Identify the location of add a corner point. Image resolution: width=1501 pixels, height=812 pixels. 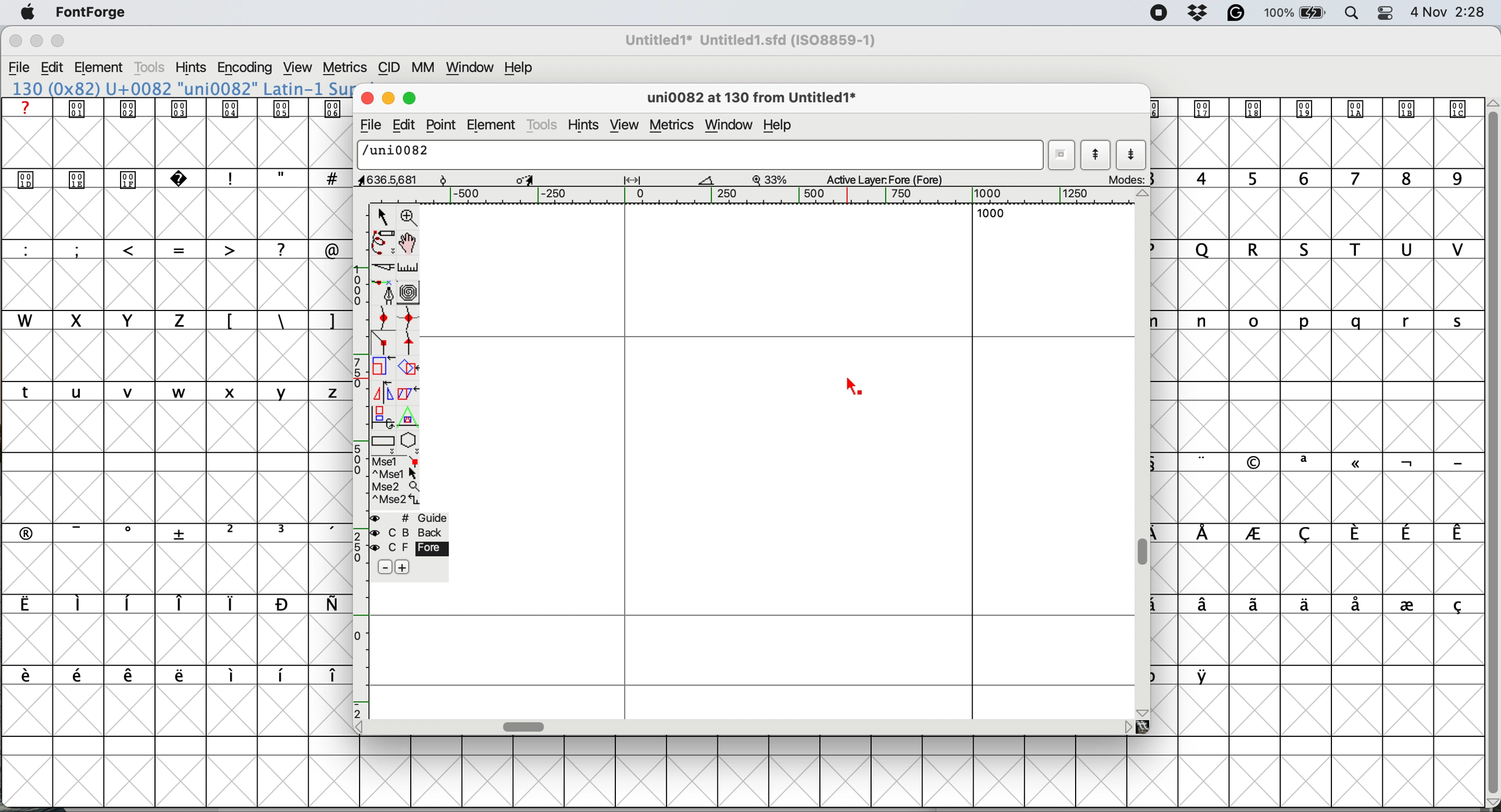
(383, 344).